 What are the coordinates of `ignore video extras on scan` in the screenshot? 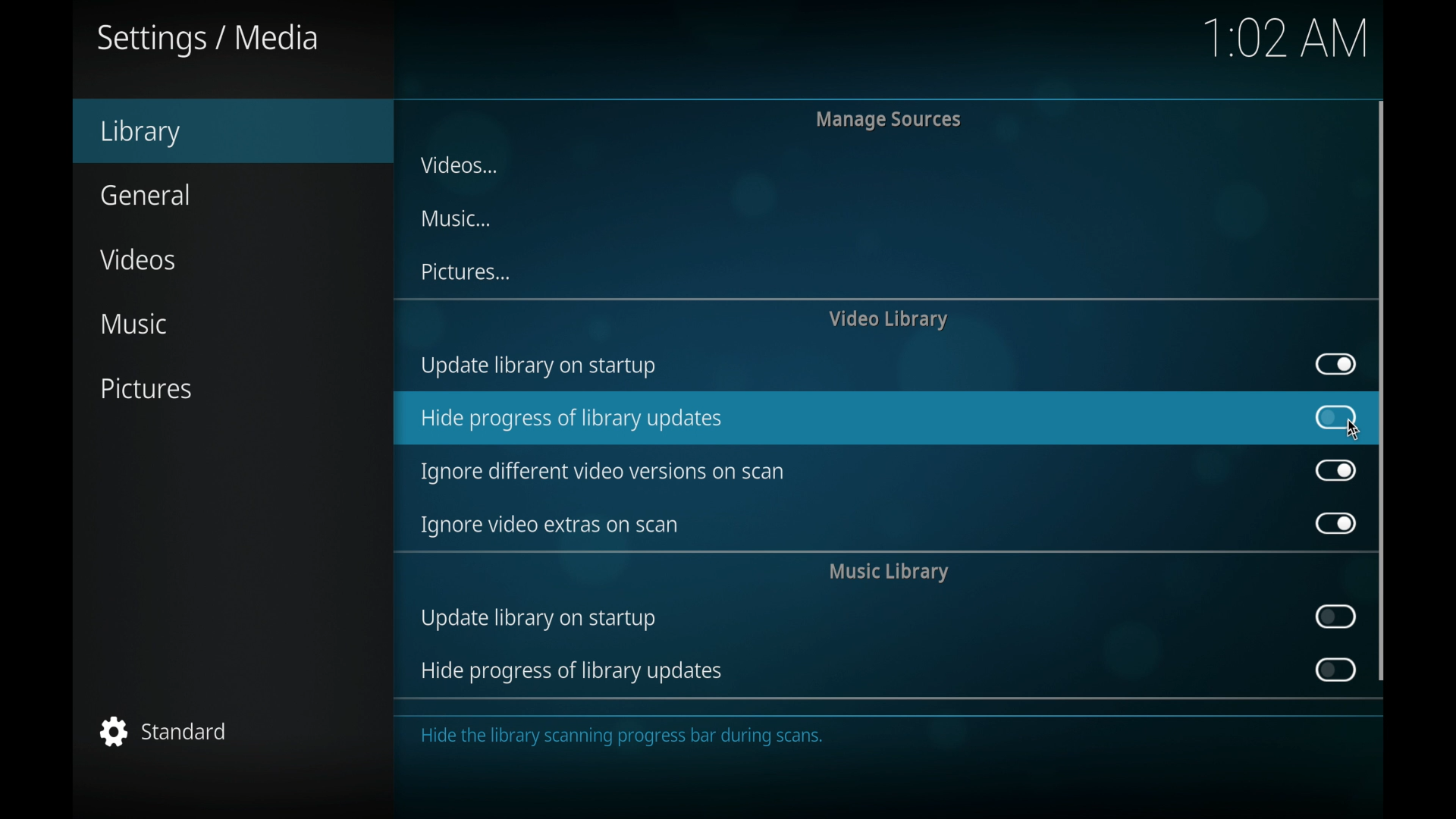 It's located at (549, 525).